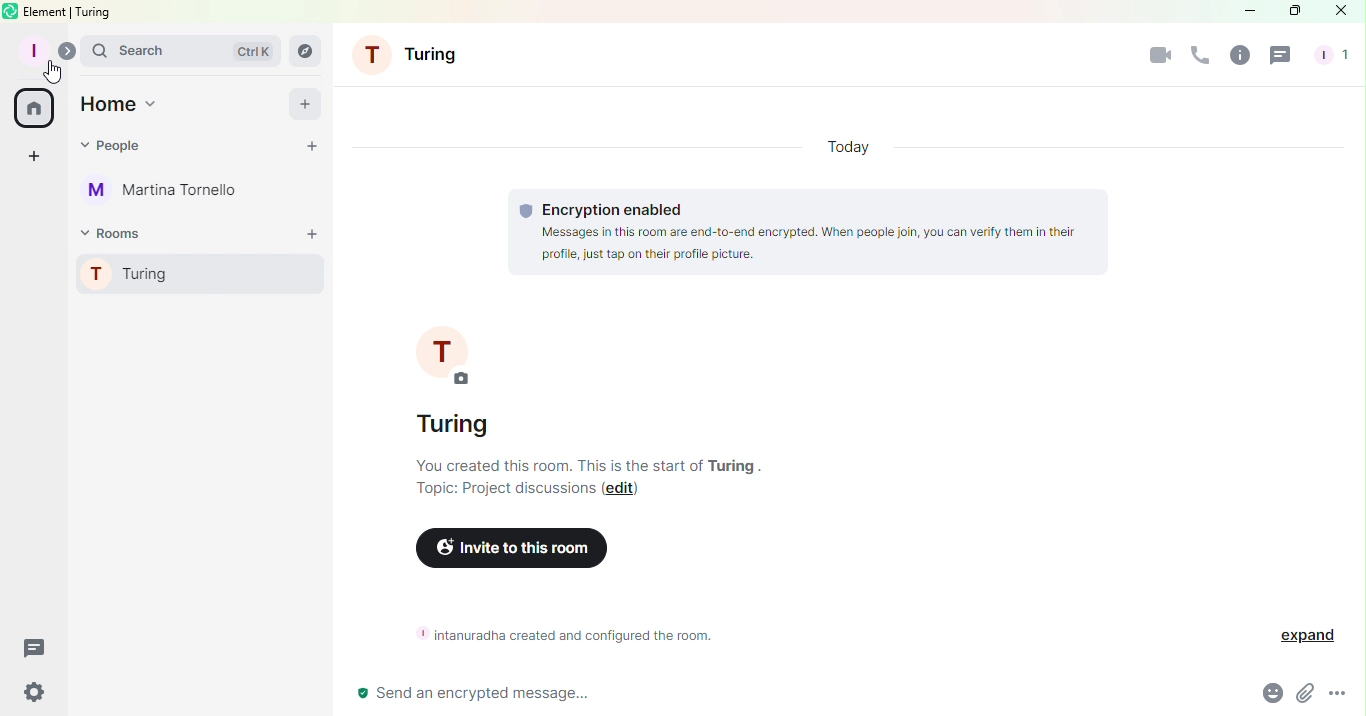 The image size is (1366, 716). What do you see at coordinates (309, 51) in the screenshot?
I see `Search rooms` at bounding box center [309, 51].